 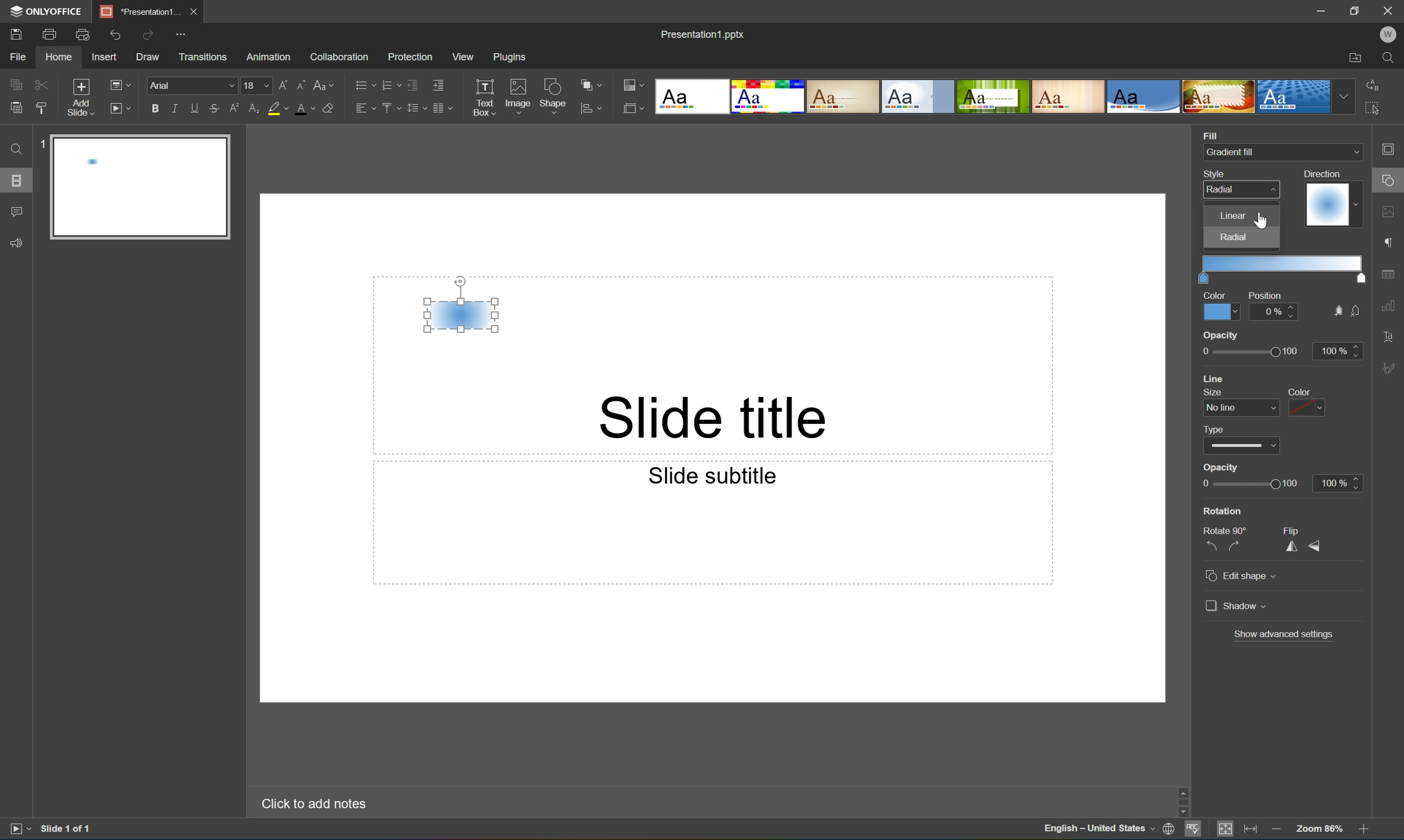 I want to click on Show advanced settings, so click(x=1285, y=633).